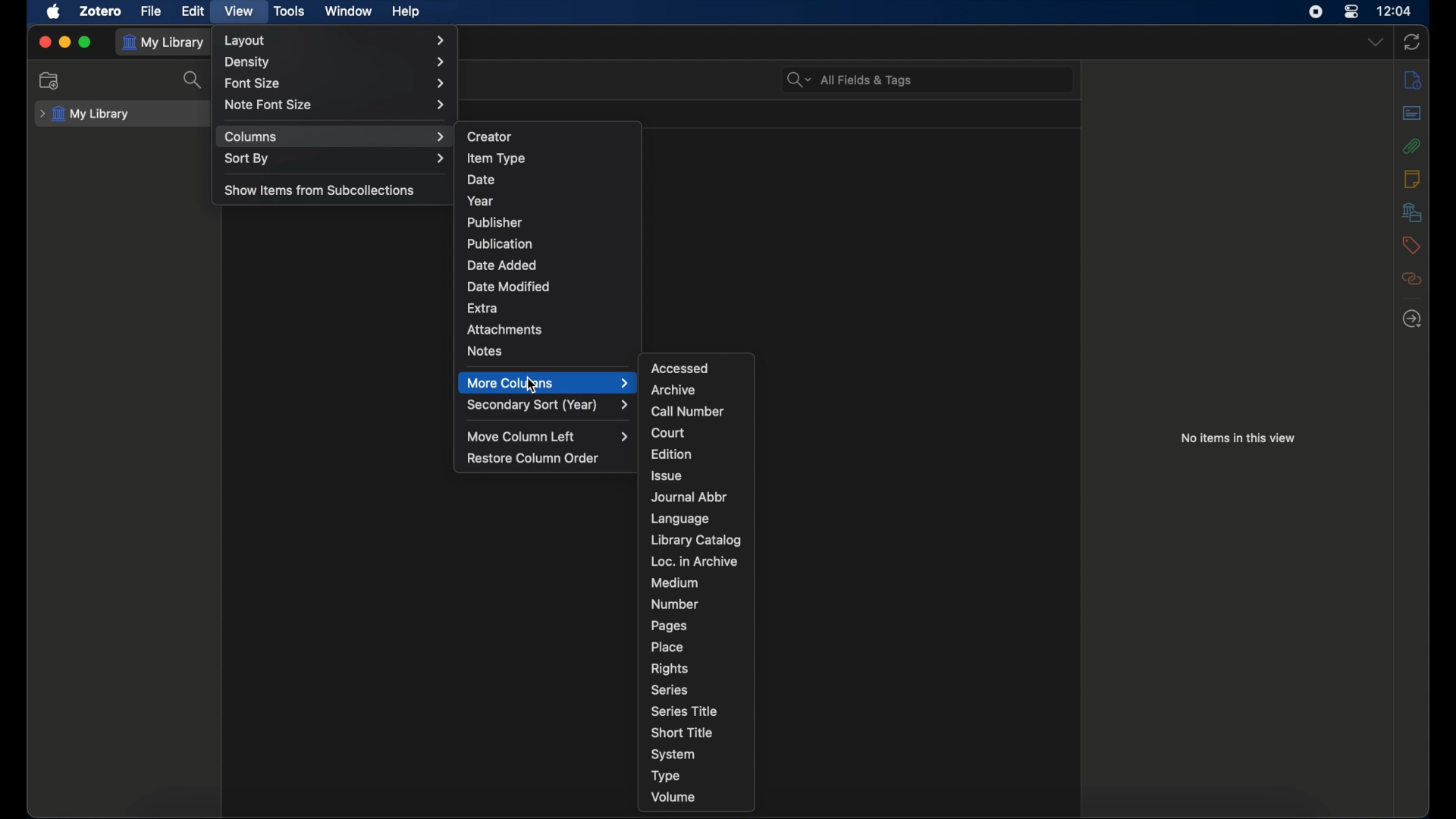  I want to click on place, so click(668, 647).